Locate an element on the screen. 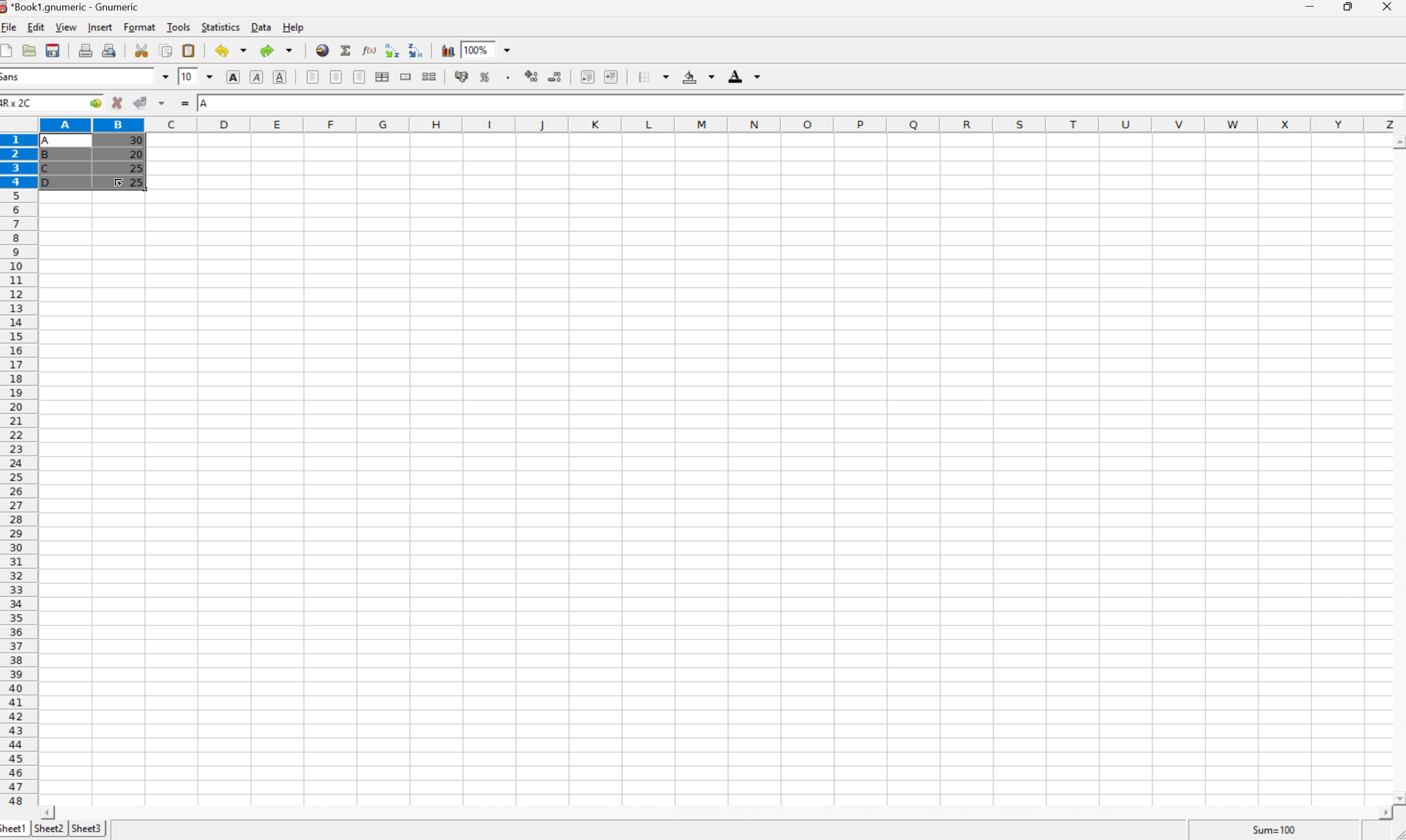 Image resolution: width=1406 pixels, height=840 pixels. Increase indent, and align the contents to the left is located at coordinates (614, 77).